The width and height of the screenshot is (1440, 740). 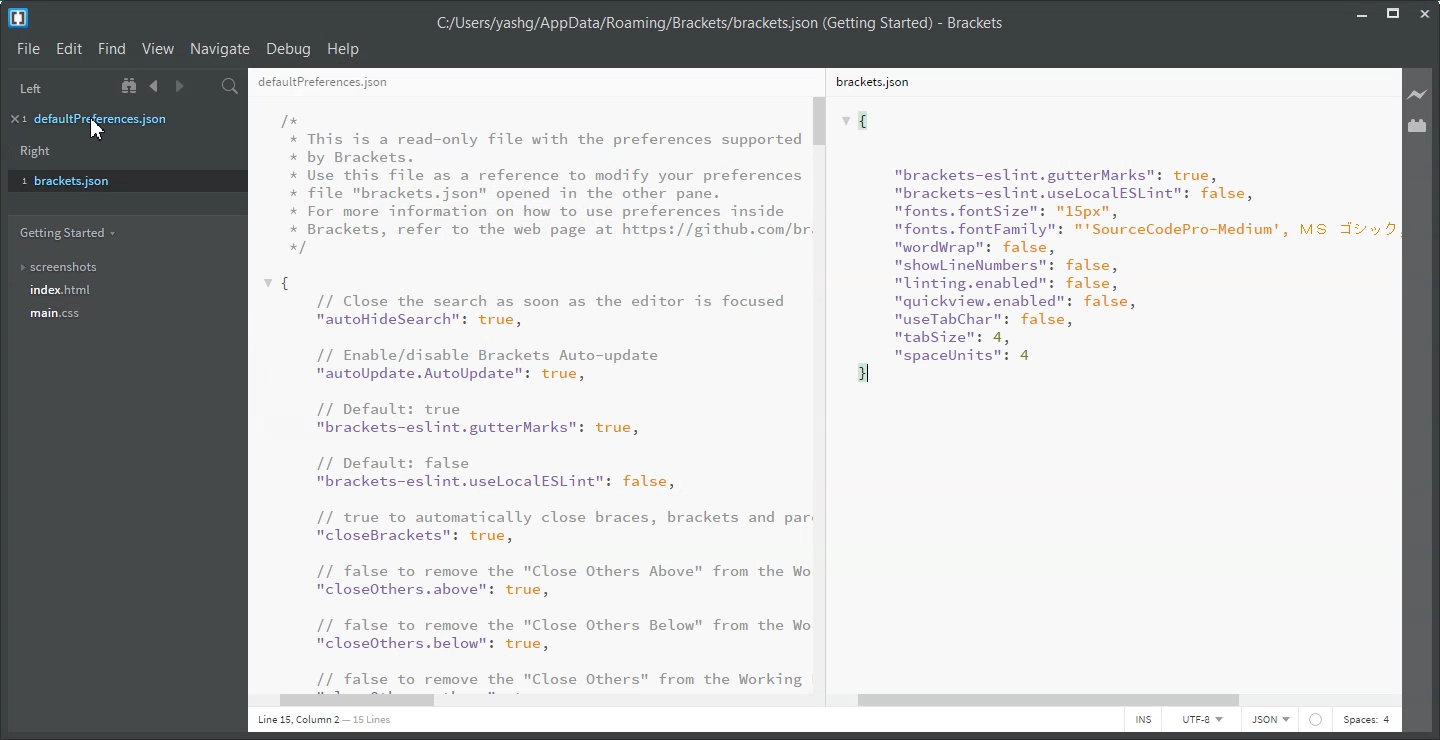 What do you see at coordinates (344, 48) in the screenshot?
I see `Help` at bounding box center [344, 48].